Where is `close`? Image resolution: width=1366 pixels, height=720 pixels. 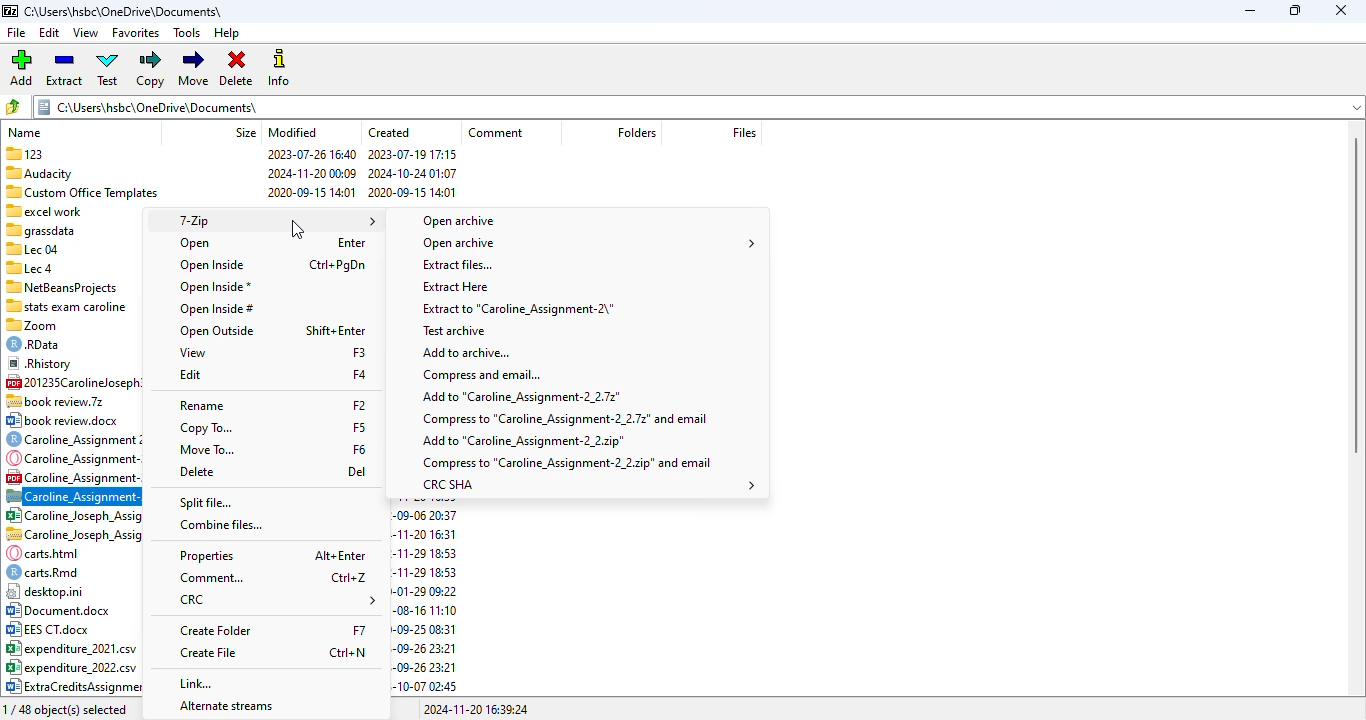
close is located at coordinates (1341, 10).